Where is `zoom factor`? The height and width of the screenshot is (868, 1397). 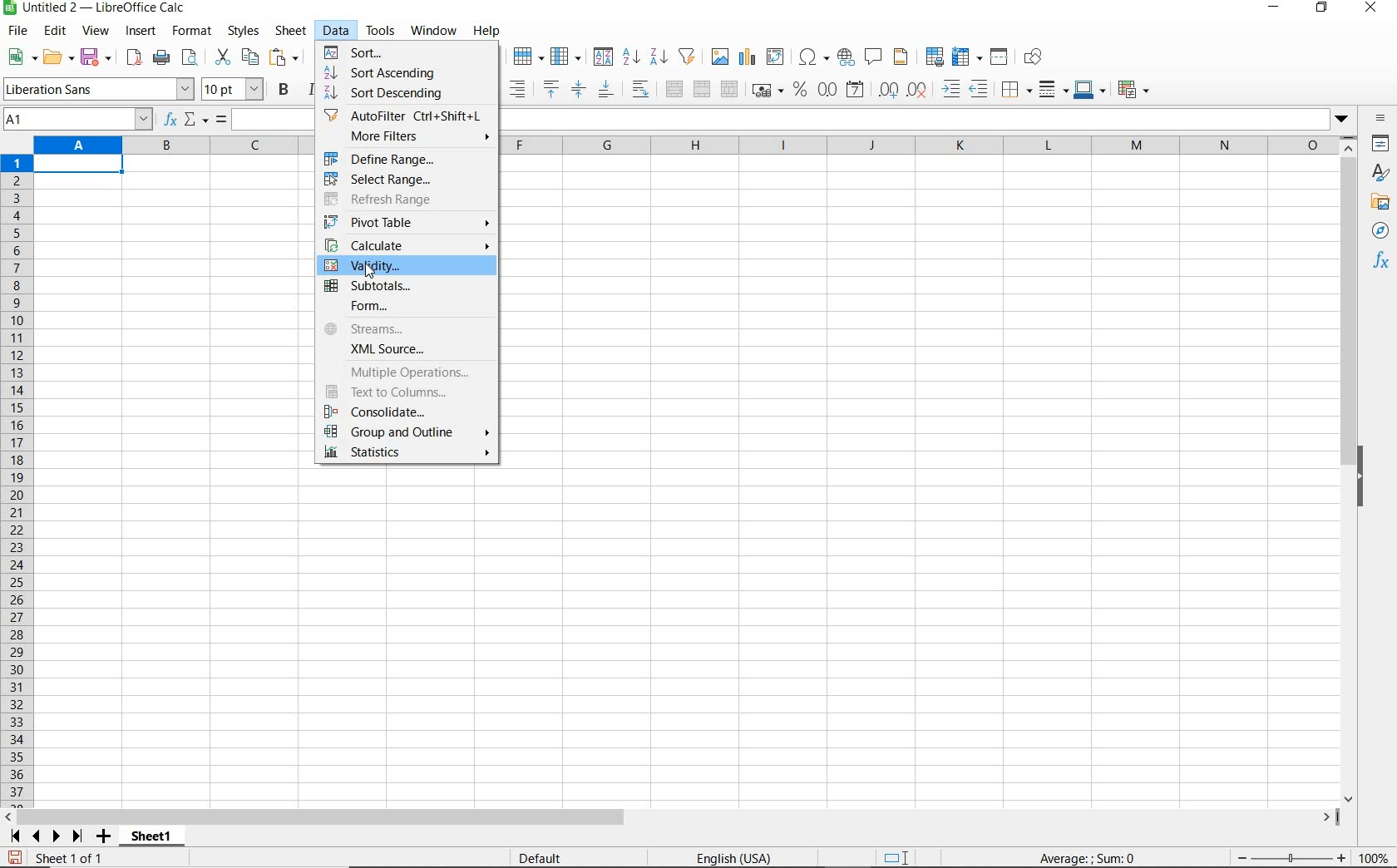 zoom factor is located at coordinates (1375, 857).